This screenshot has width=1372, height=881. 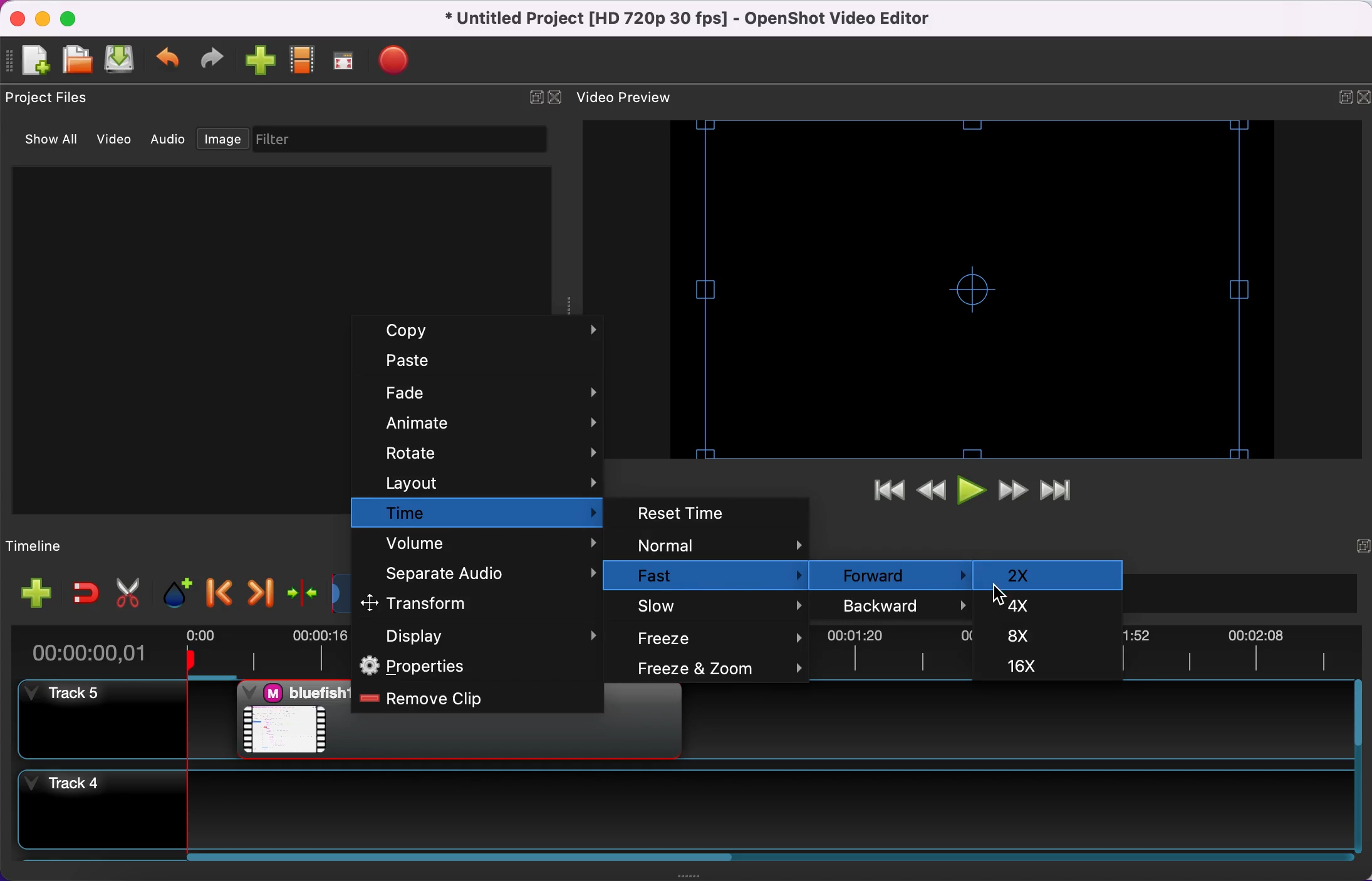 What do you see at coordinates (217, 61) in the screenshot?
I see `redo` at bounding box center [217, 61].